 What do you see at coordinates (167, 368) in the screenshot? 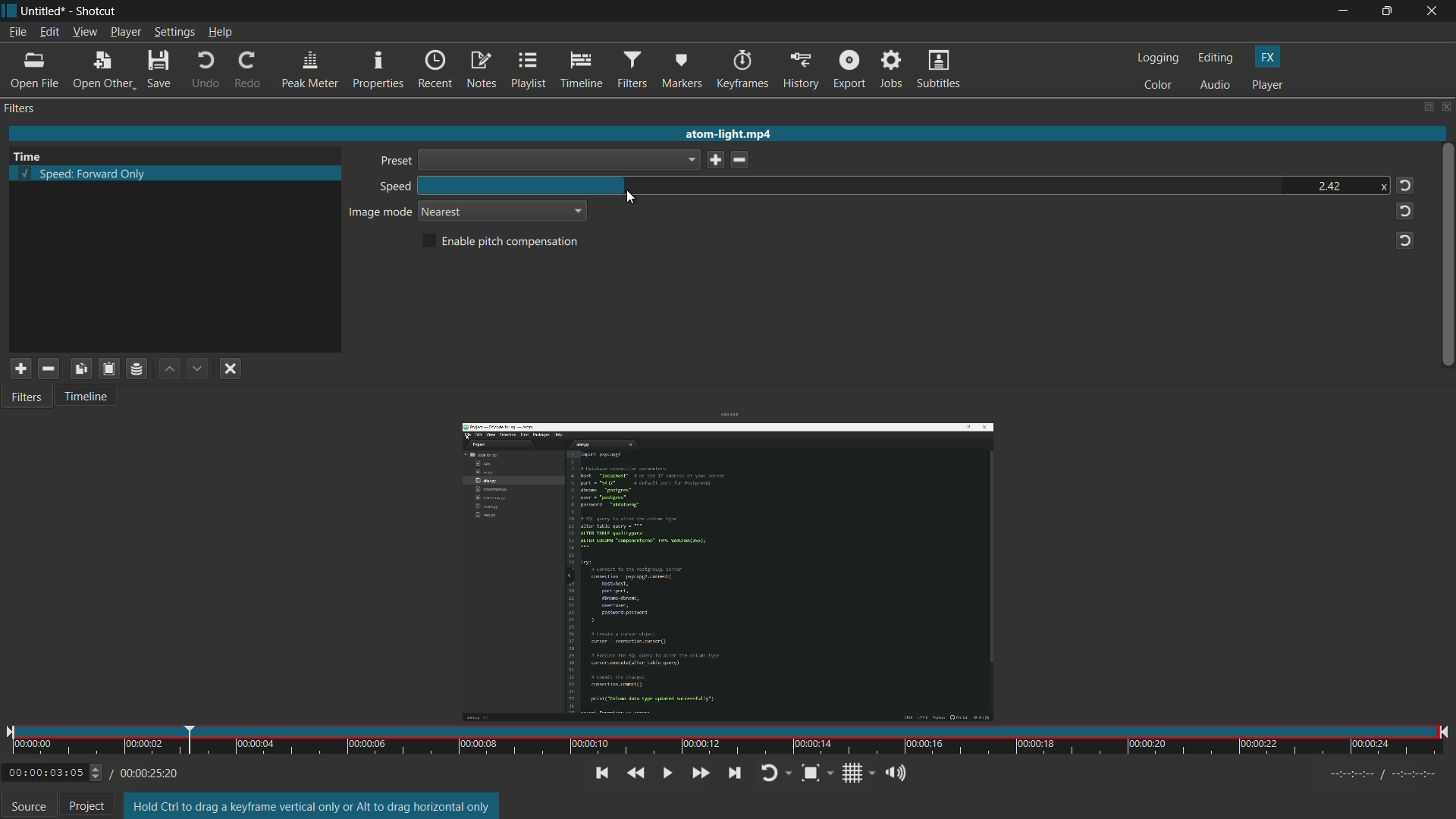
I see `move filter up` at bounding box center [167, 368].